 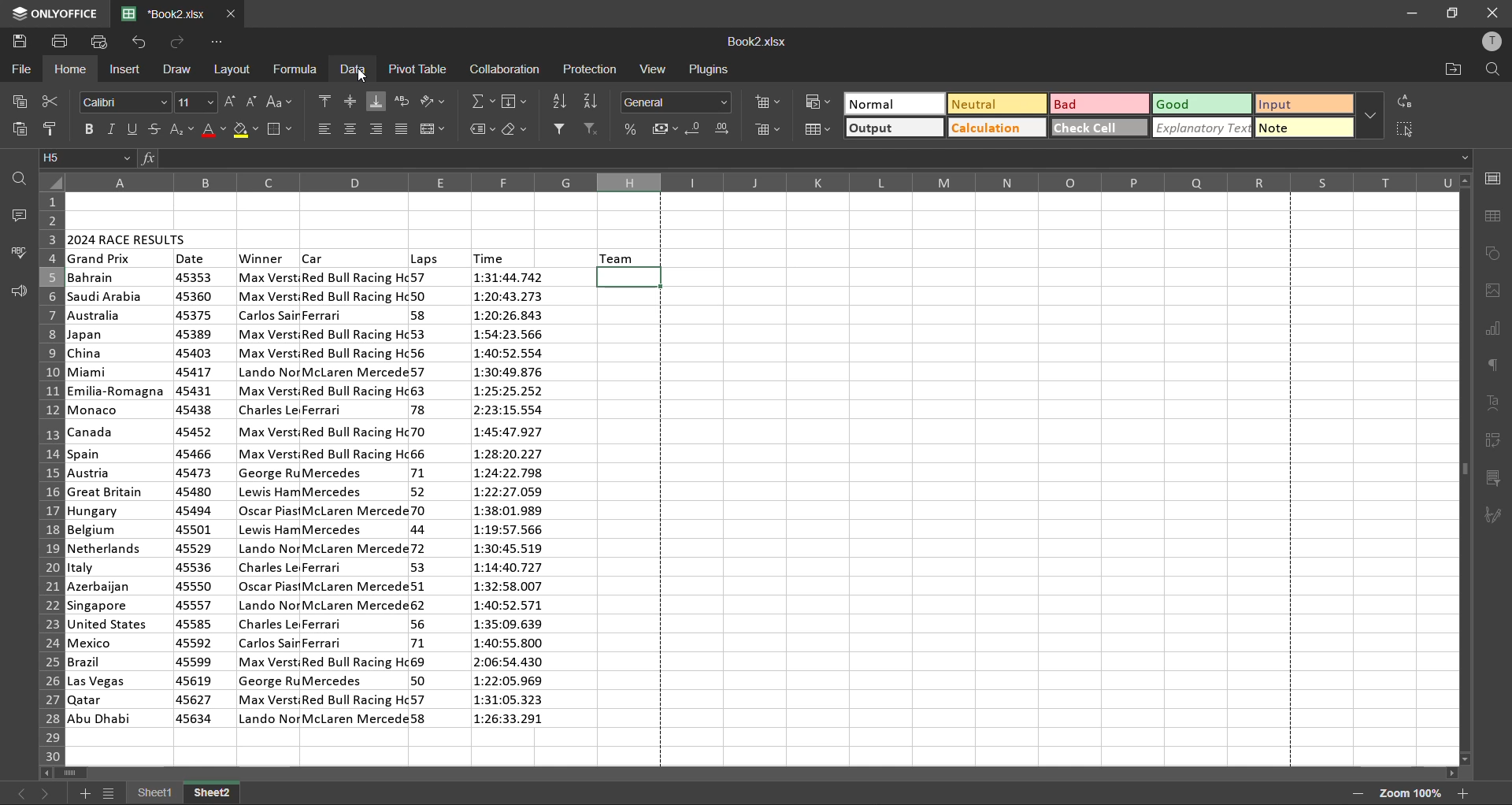 What do you see at coordinates (1097, 103) in the screenshot?
I see `bad` at bounding box center [1097, 103].